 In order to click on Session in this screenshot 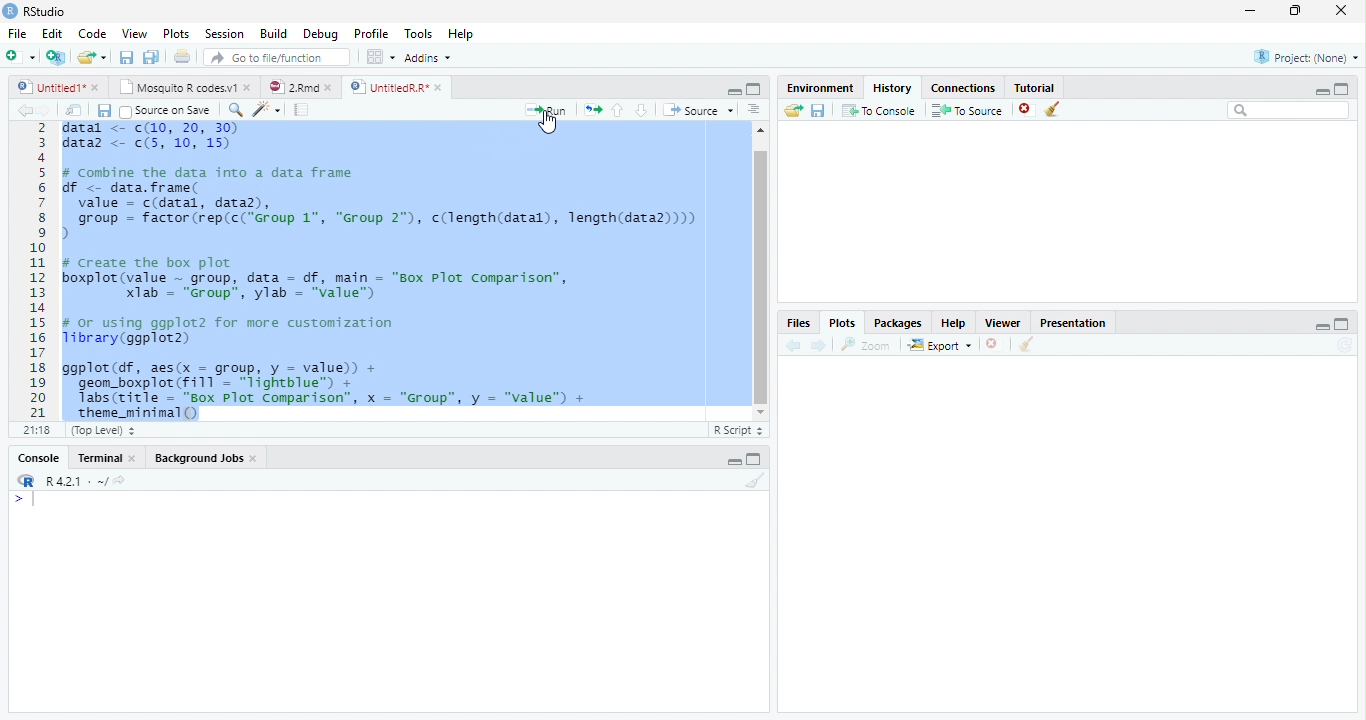, I will do `click(222, 33)`.